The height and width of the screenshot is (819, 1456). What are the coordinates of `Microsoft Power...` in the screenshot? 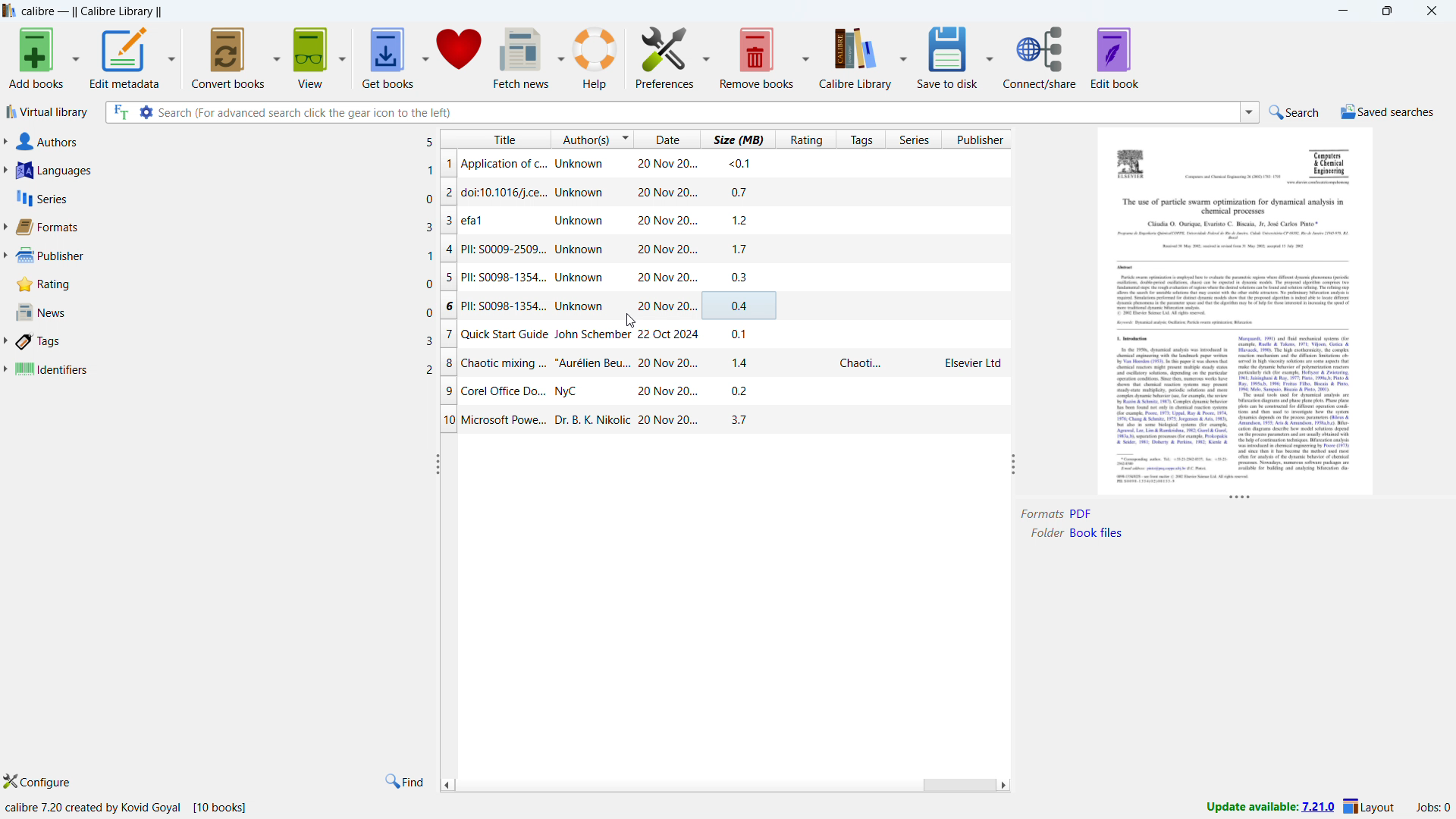 It's located at (726, 422).